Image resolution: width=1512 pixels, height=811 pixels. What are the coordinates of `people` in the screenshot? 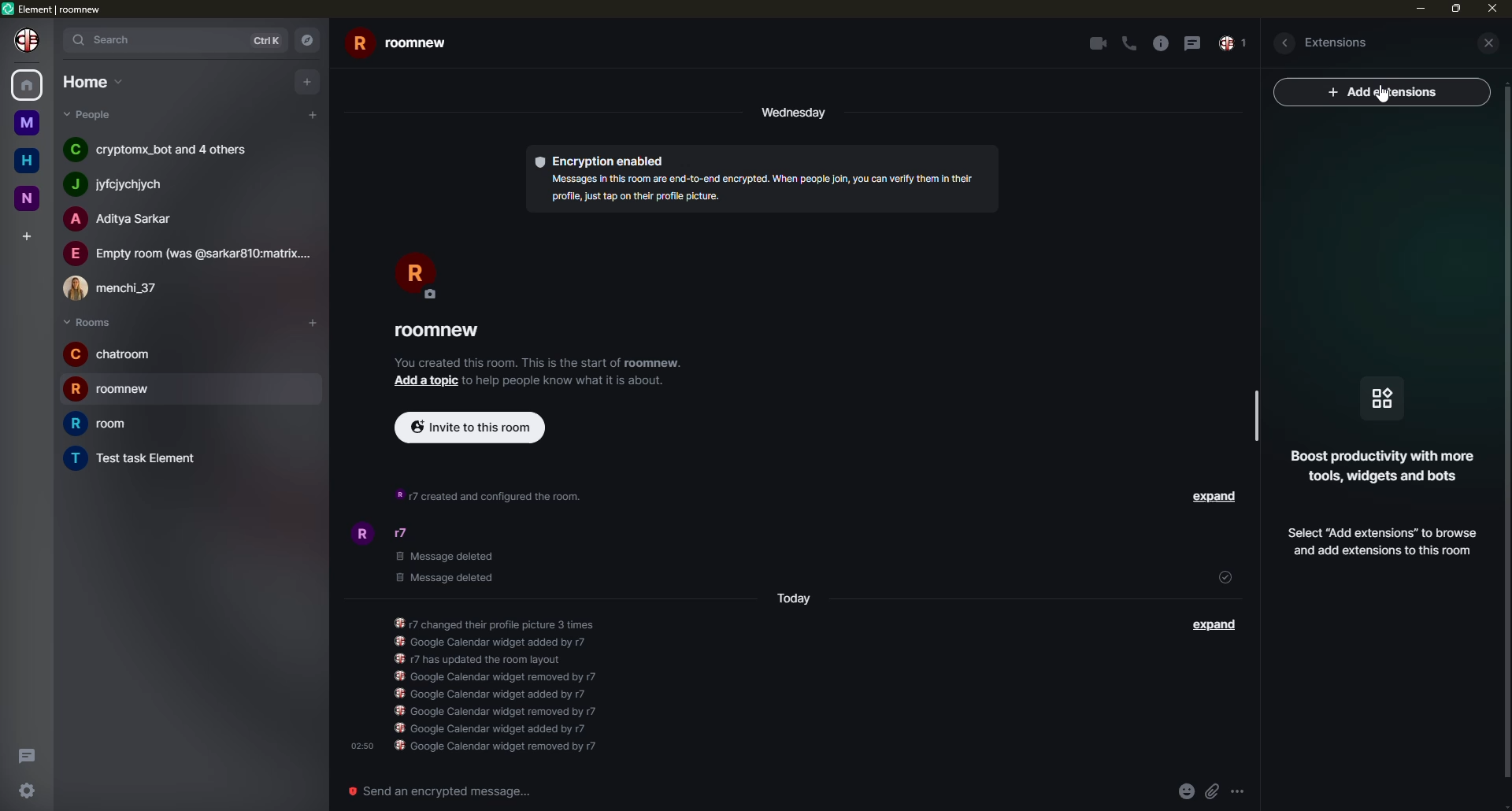 It's located at (406, 534).